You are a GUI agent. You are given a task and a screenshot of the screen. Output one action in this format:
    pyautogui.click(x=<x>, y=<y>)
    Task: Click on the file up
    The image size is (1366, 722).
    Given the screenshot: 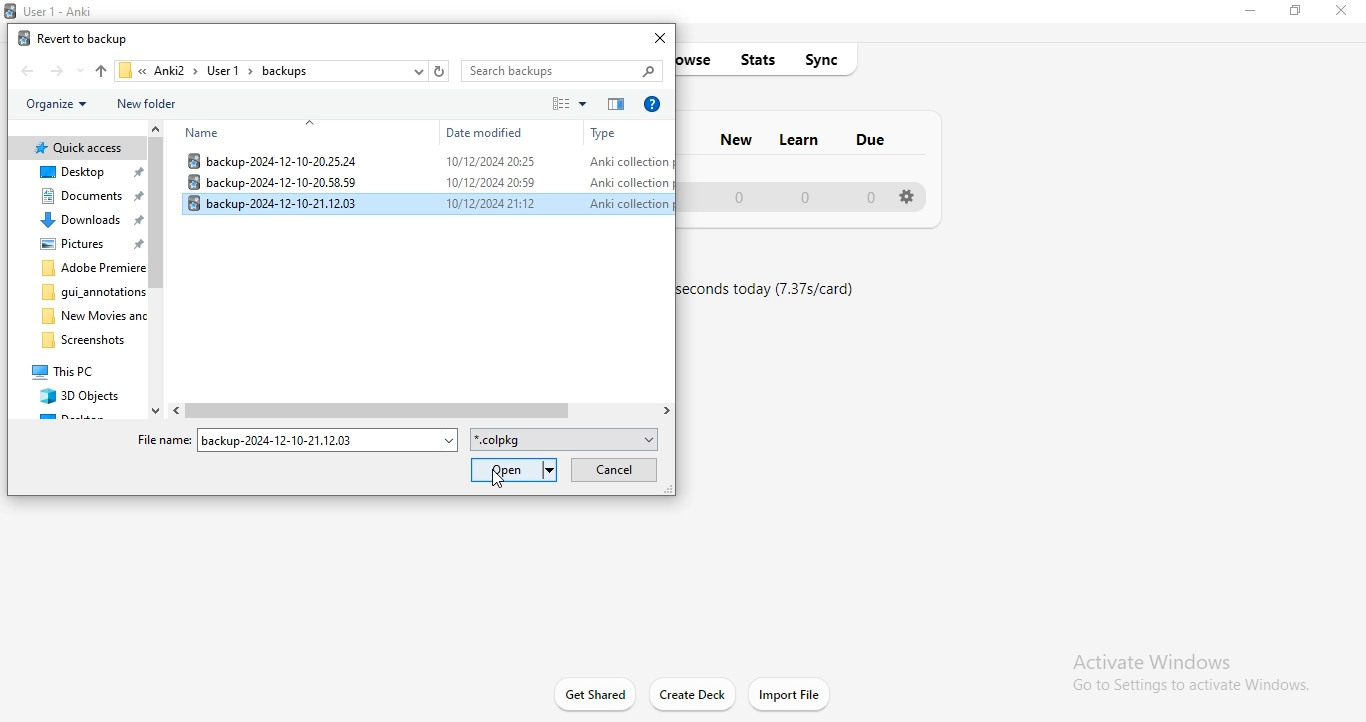 What is the action you would take?
    pyautogui.click(x=99, y=69)
    